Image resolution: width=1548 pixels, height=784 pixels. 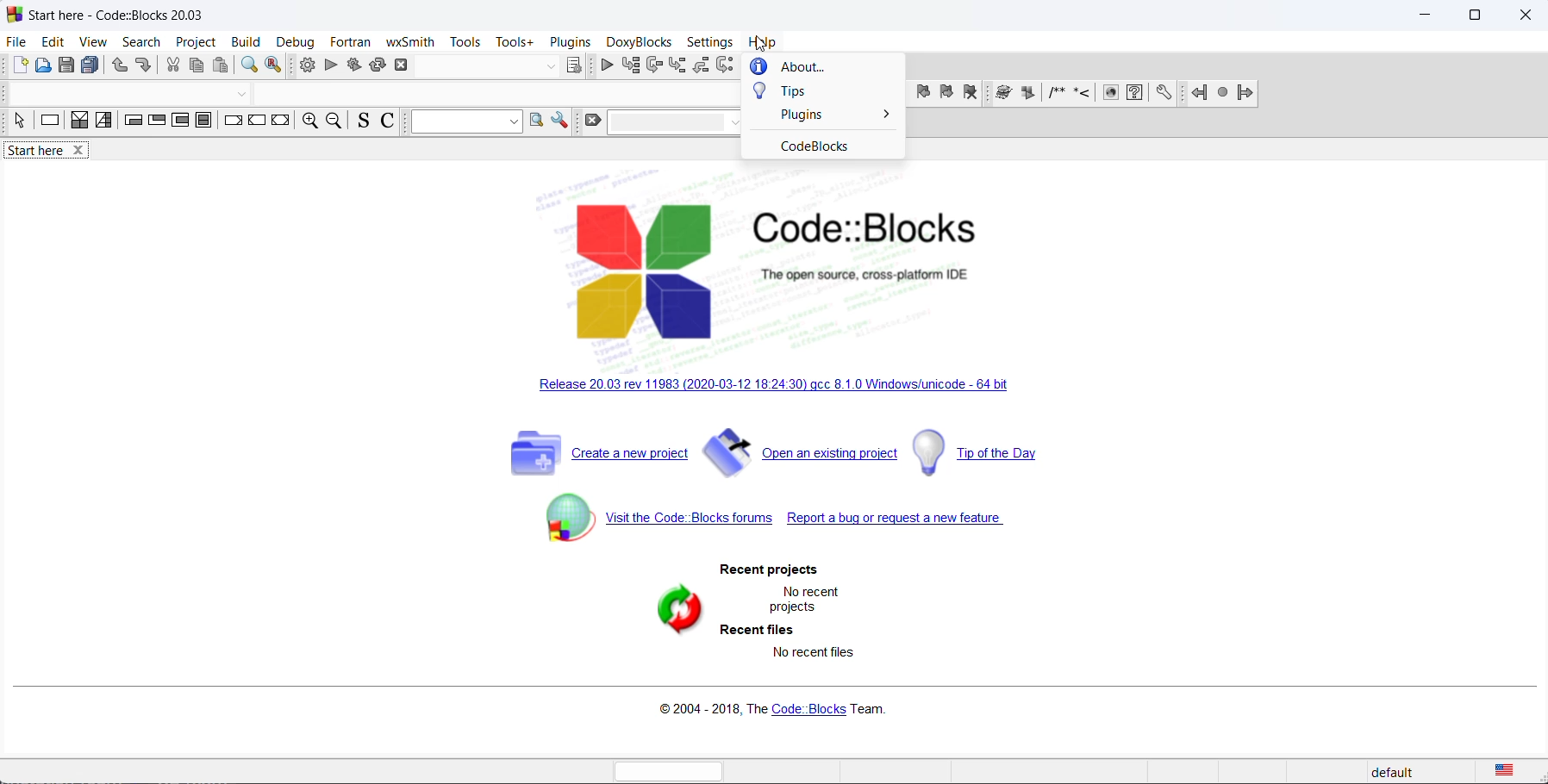 What do you see at coordinates (925, 92) in the screenshot?
I see `previous bookmark` at bounding box center [925, 92].